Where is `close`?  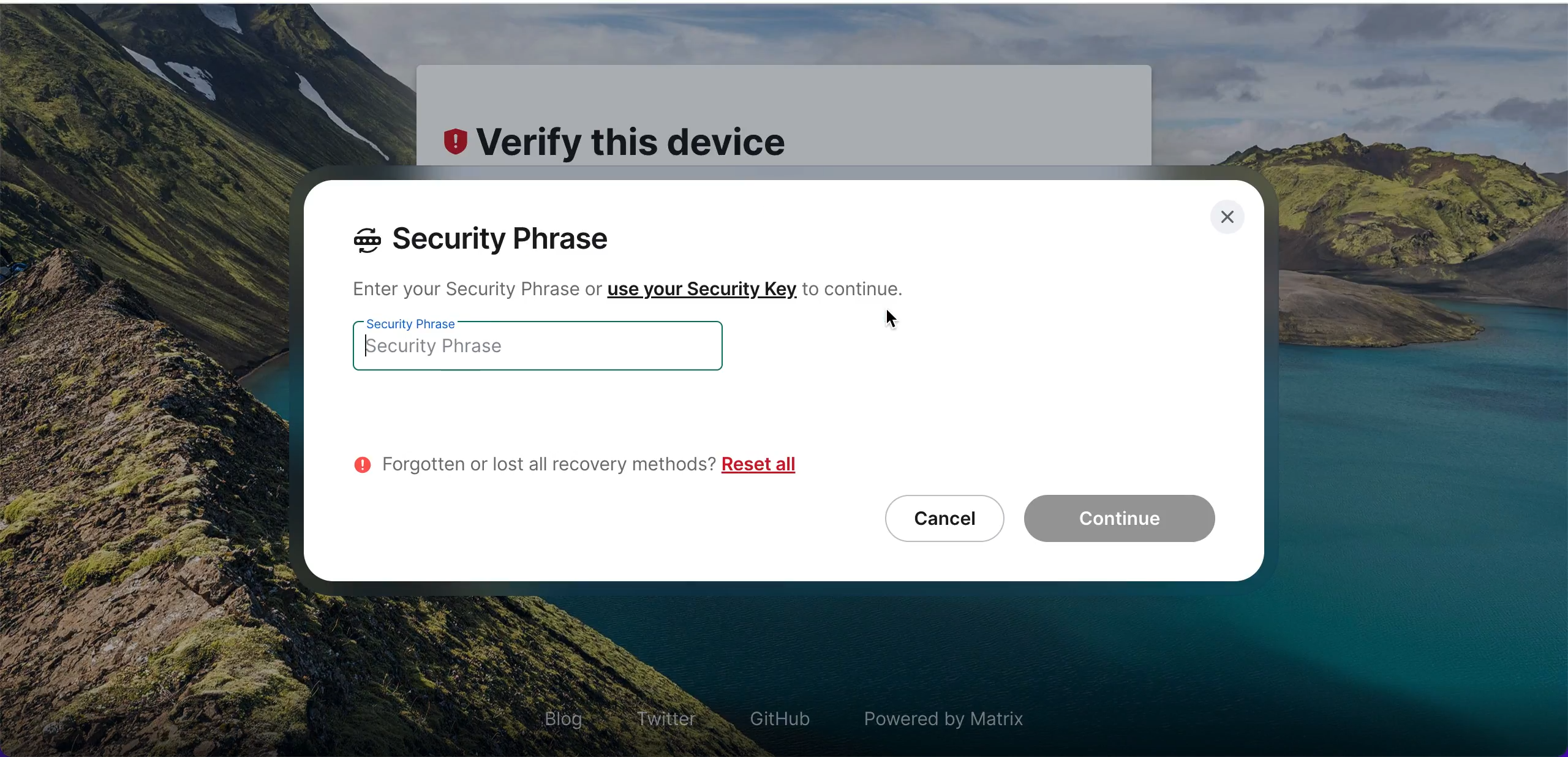
close is located at coordinates (1229, 220).